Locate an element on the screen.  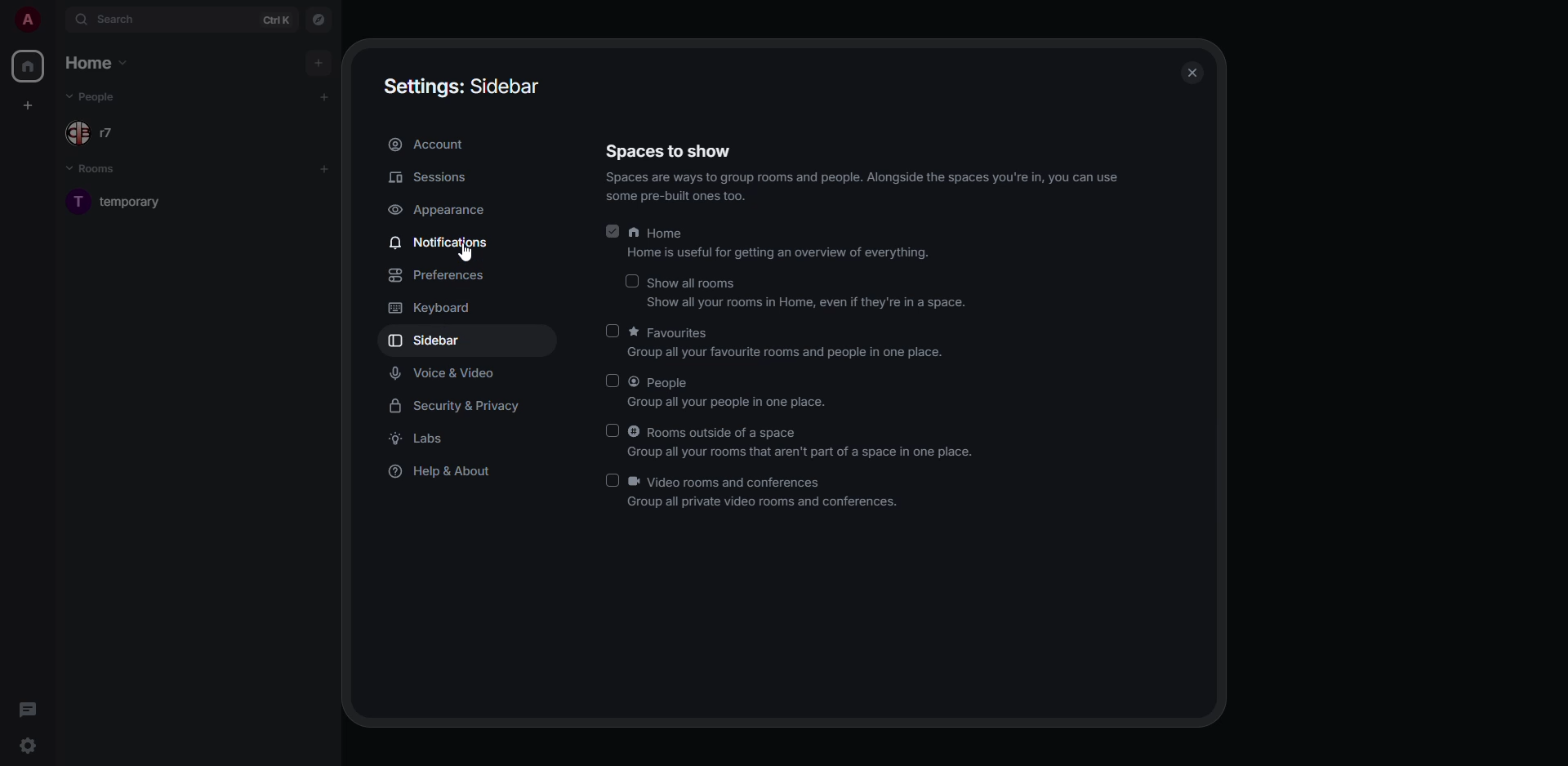
create space is located at coordinates (27, 107).